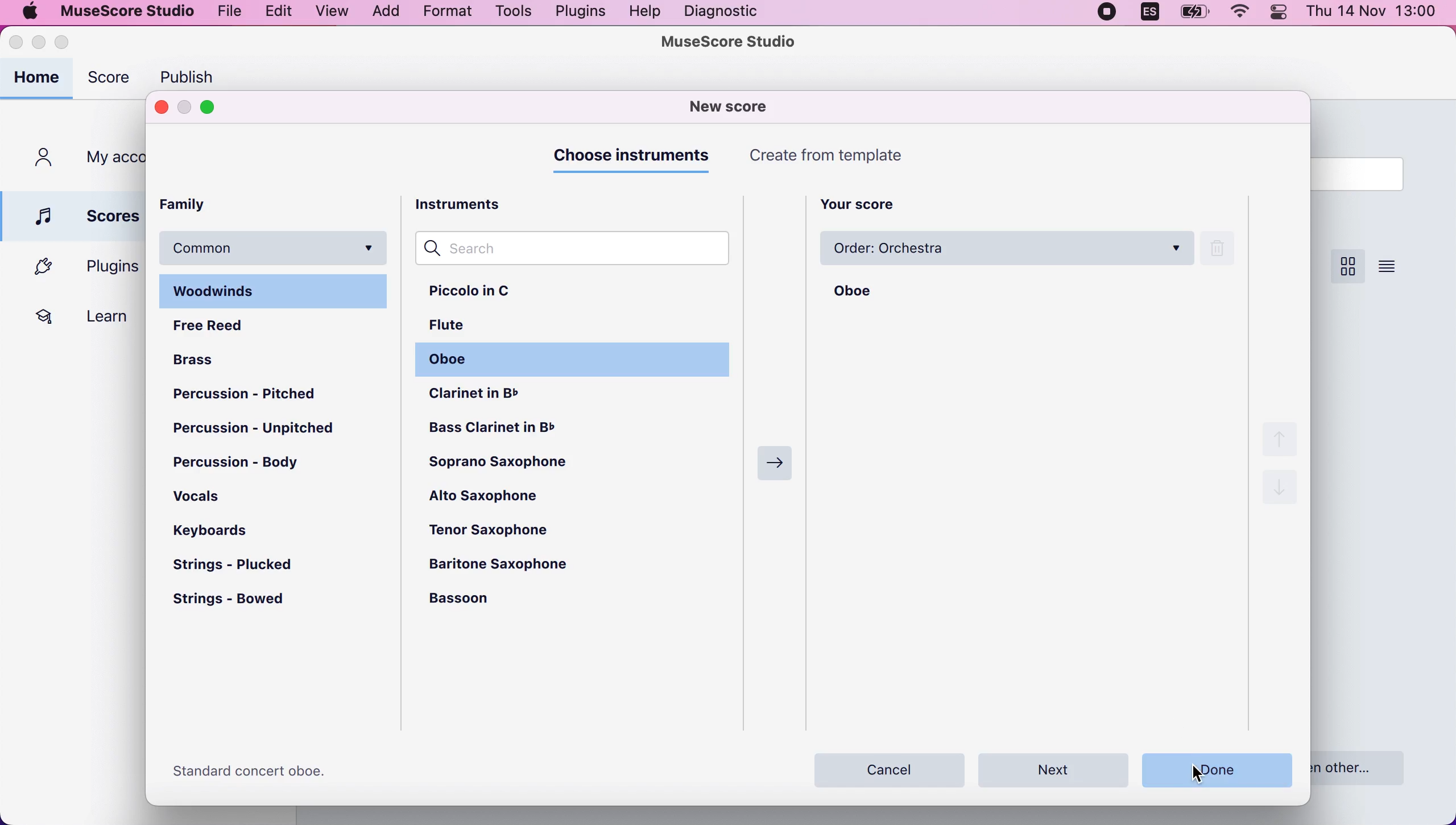  What do you see at coordinates (123, 11) in the screenshot?
I see `musescore studio` at bounding box center [123, 11].